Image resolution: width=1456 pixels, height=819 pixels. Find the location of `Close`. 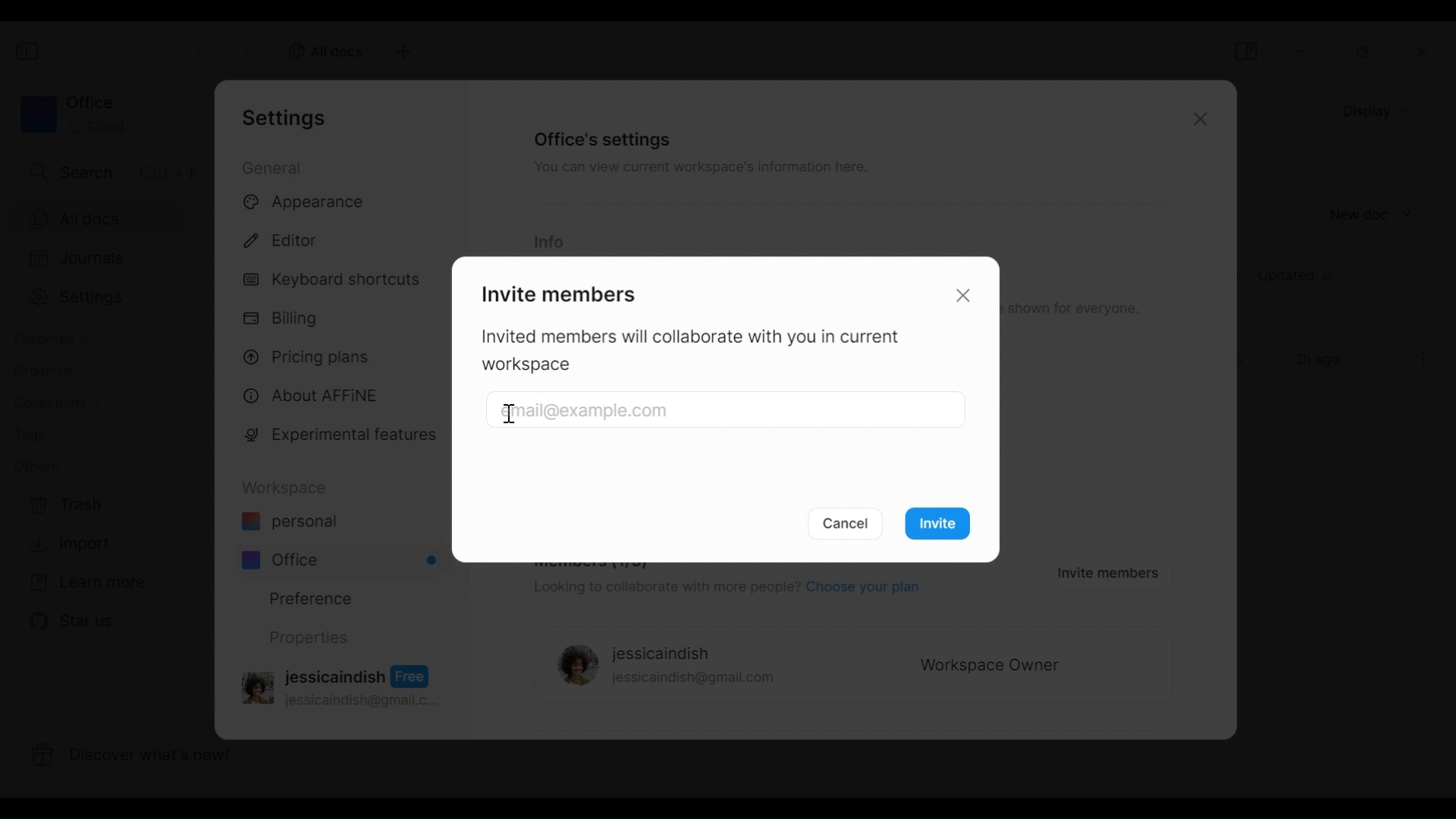

Close is located at coordinates (966, 294).